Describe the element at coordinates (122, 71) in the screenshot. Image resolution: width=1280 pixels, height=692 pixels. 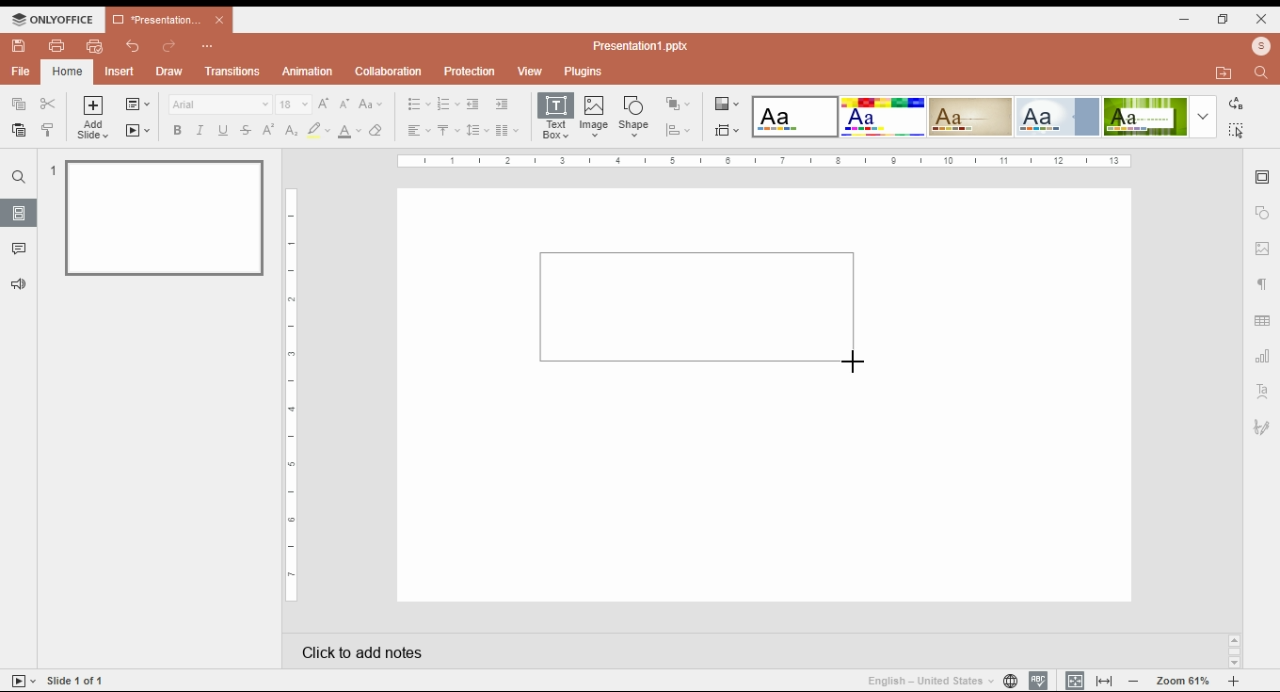
I see `insert` at that location.